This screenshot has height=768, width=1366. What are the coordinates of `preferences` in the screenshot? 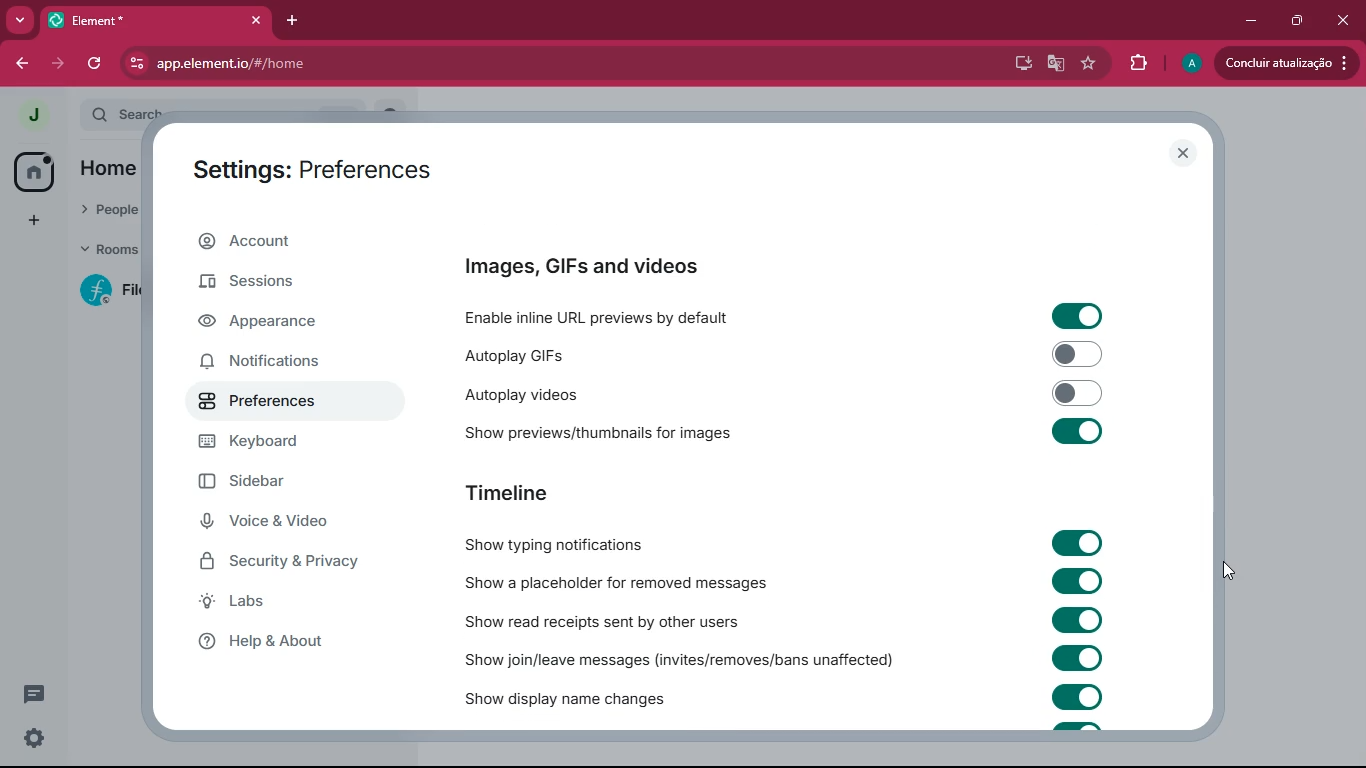 It's located at (277, 402).